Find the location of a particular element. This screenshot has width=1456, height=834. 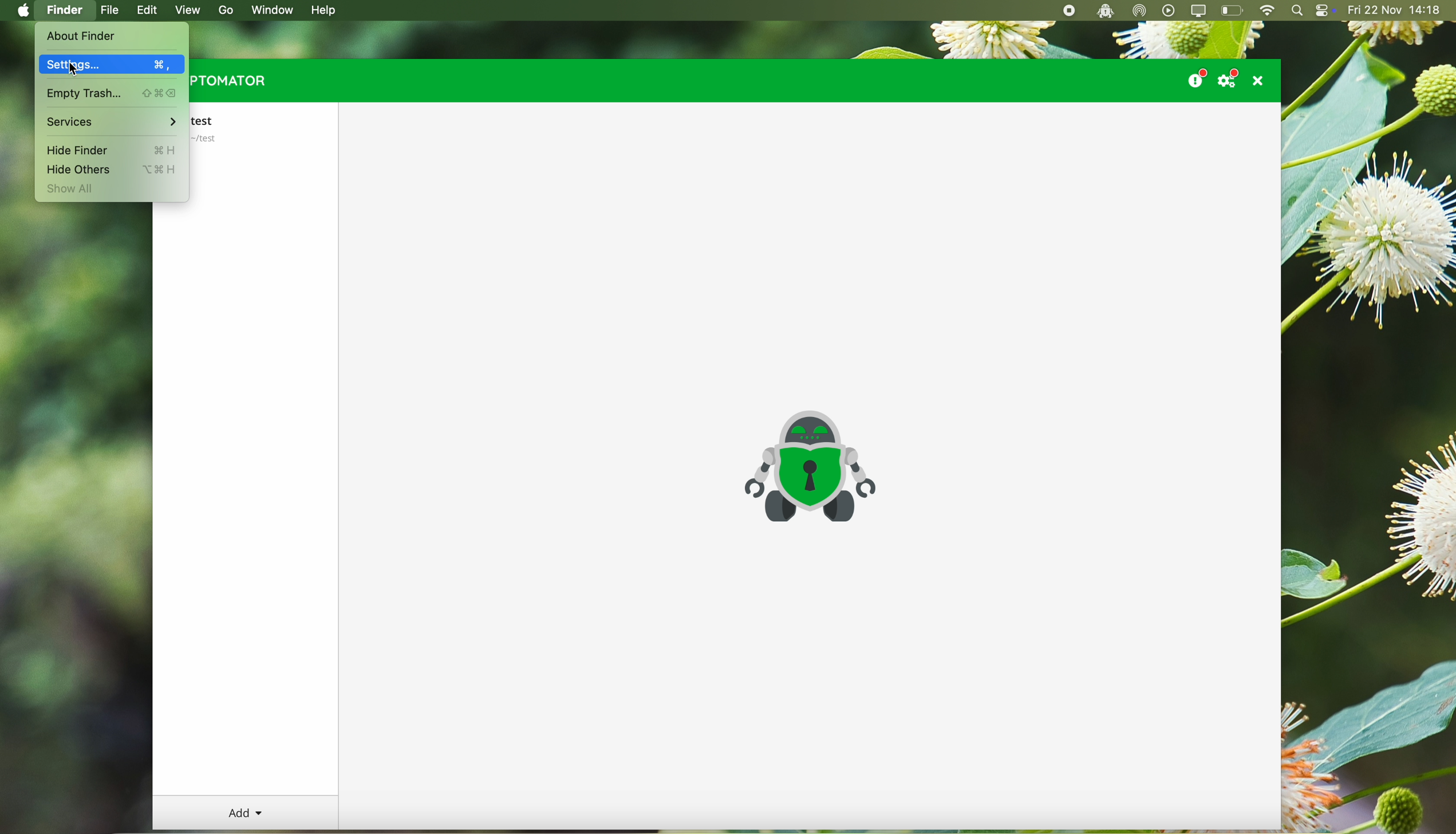

screen is located at coordinates (1200, 11).